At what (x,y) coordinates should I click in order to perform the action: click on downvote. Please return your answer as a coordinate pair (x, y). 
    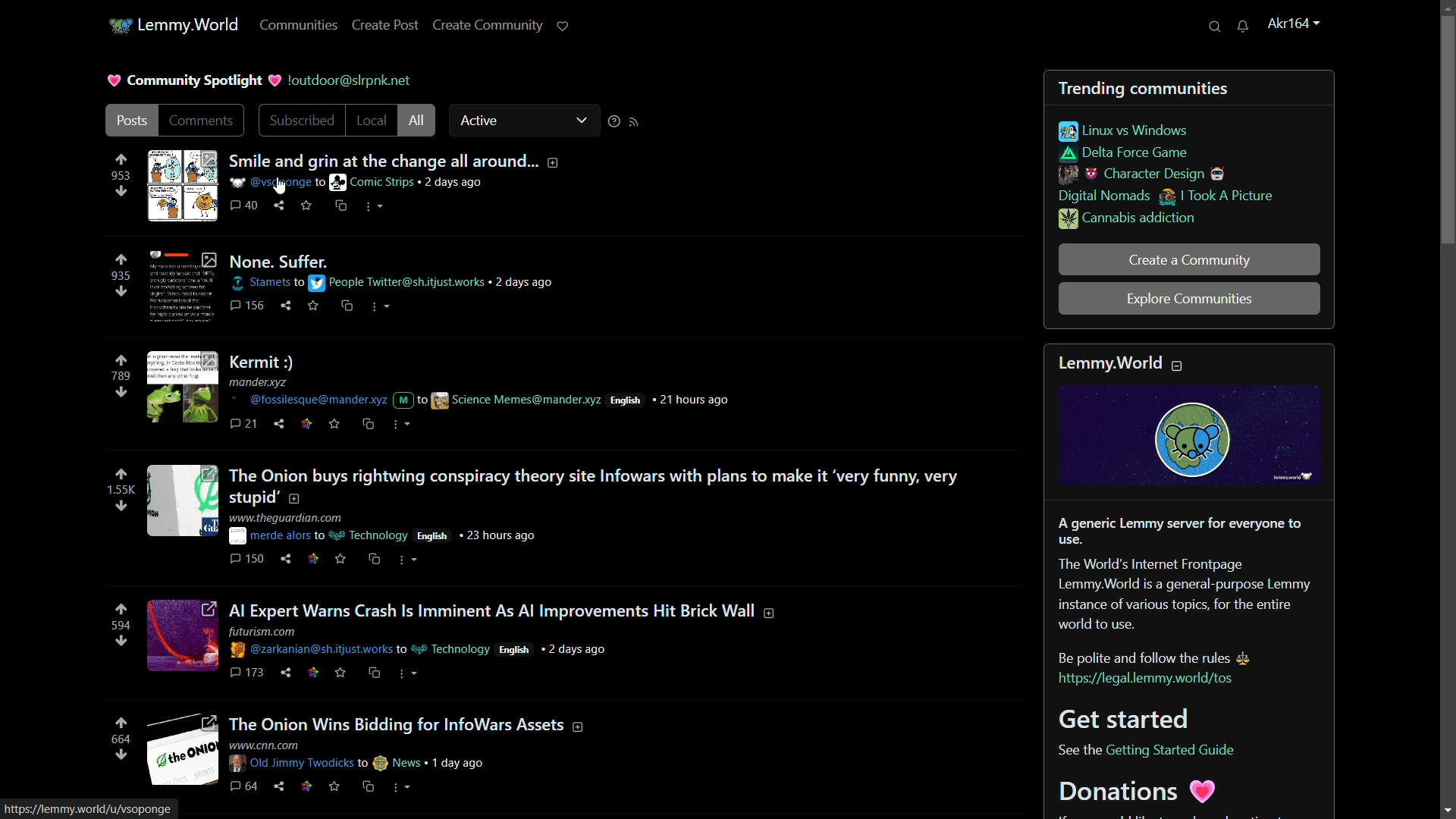
    Looking at the image, I should click on (121, 755).